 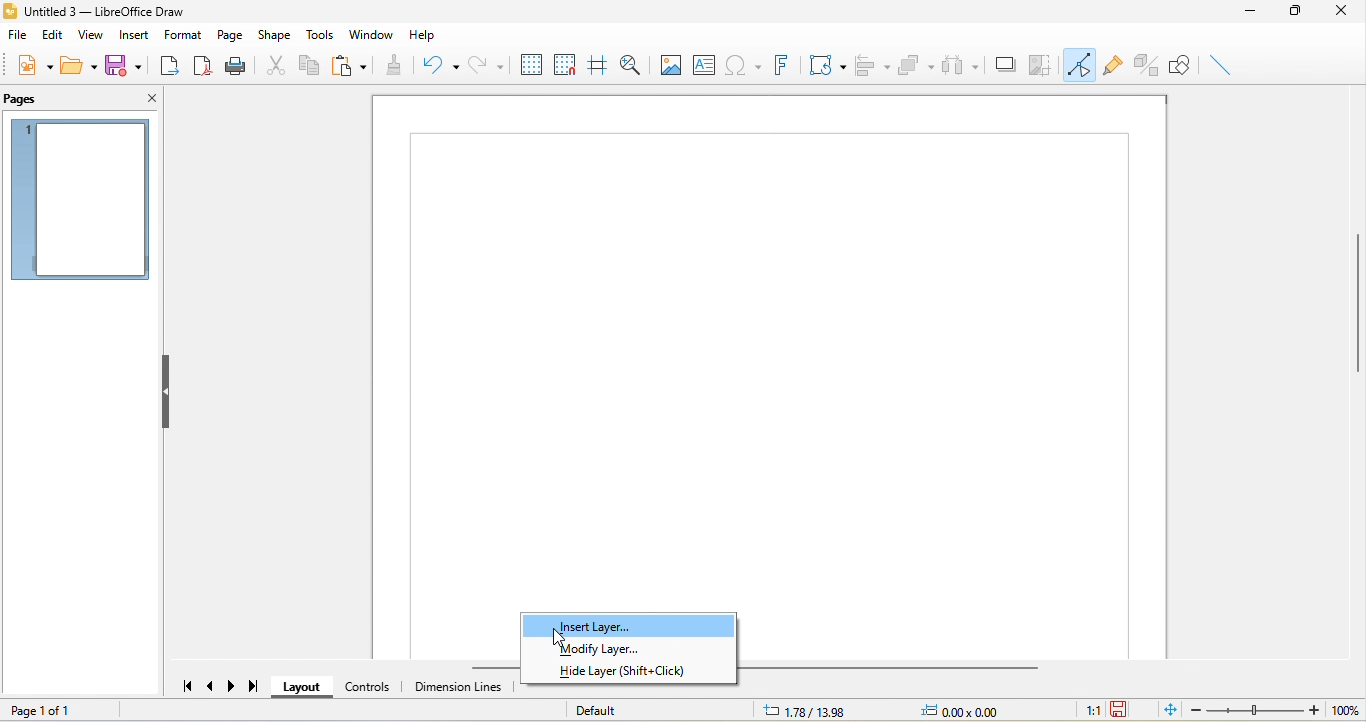 What do you see at coordinates (302, 688) in the screenshot?
I see `layout` at bounding box center [302, 688].